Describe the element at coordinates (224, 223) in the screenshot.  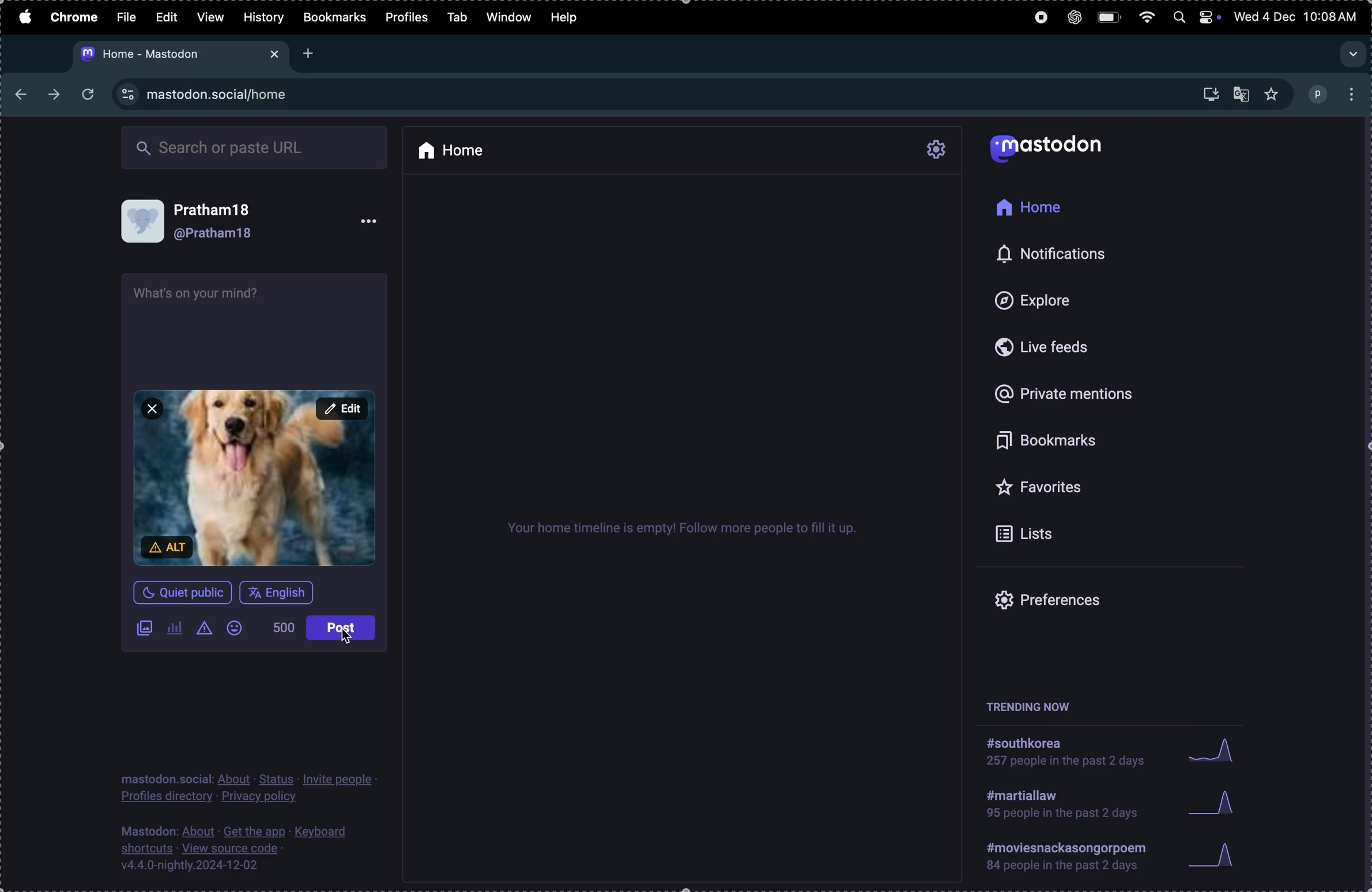
I see `Account` at that location.